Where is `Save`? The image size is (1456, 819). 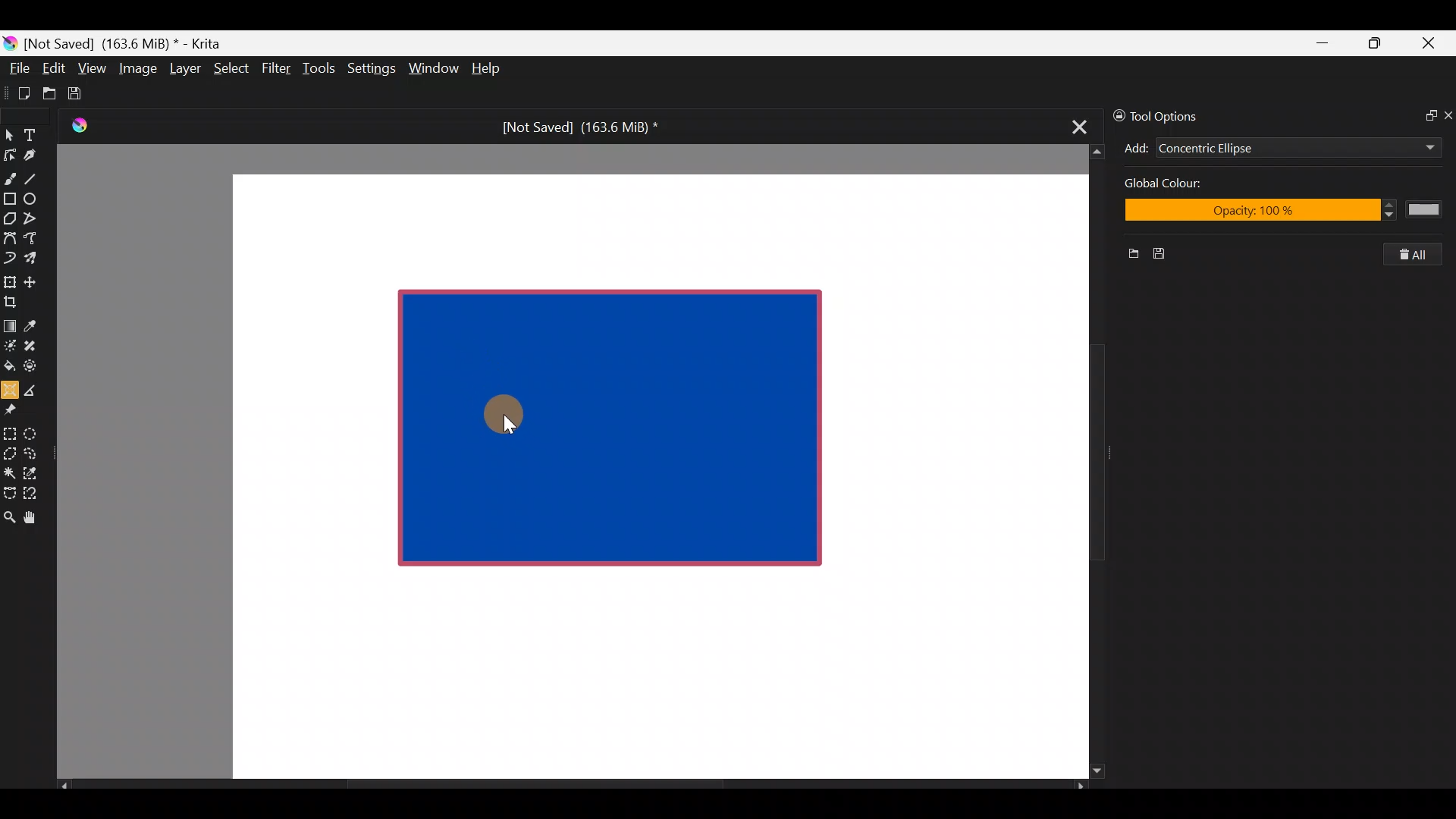
Save is located at coordinates (1165, 254).